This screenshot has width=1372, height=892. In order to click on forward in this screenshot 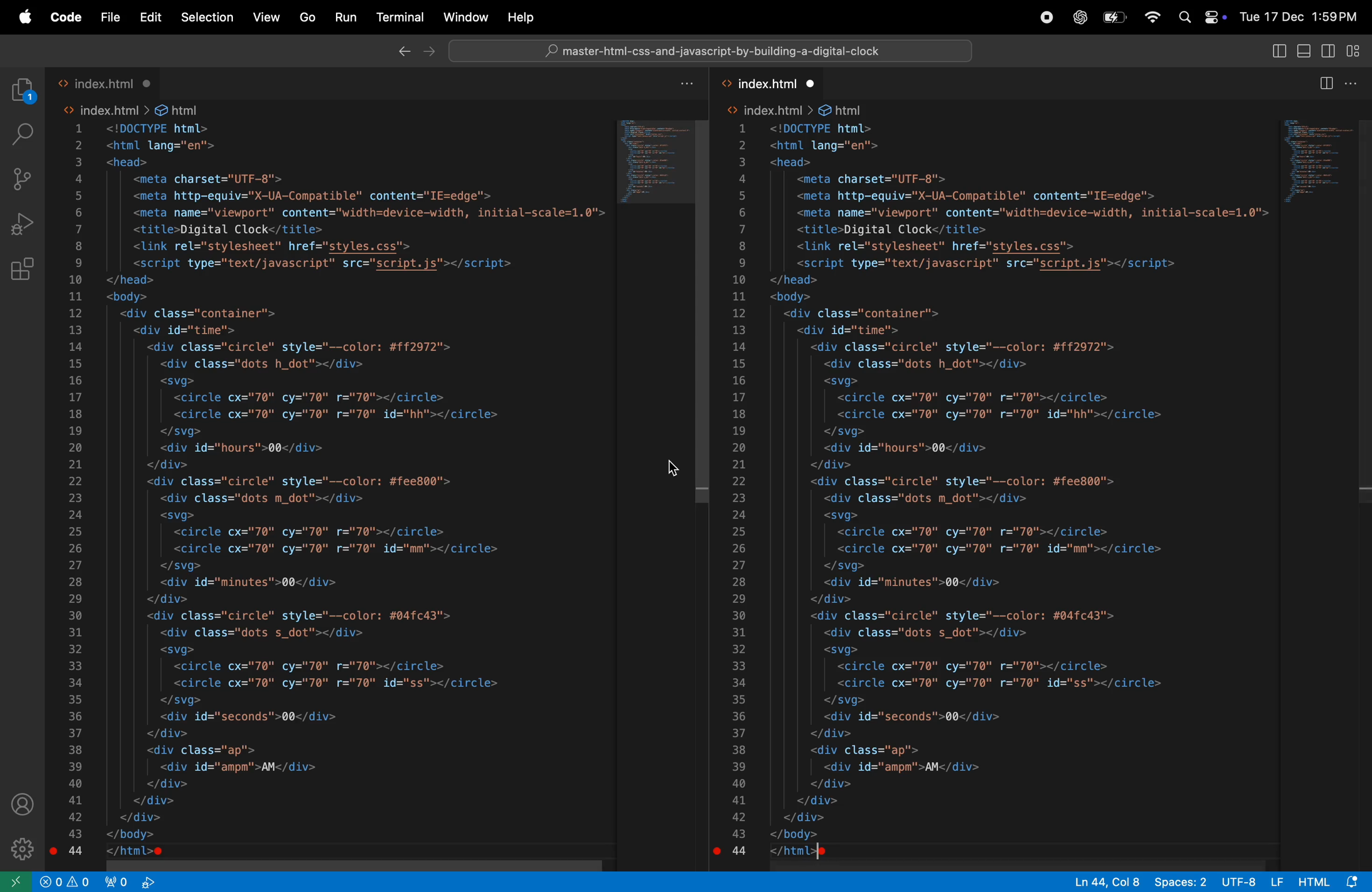, I will do `click(430, 51)`.